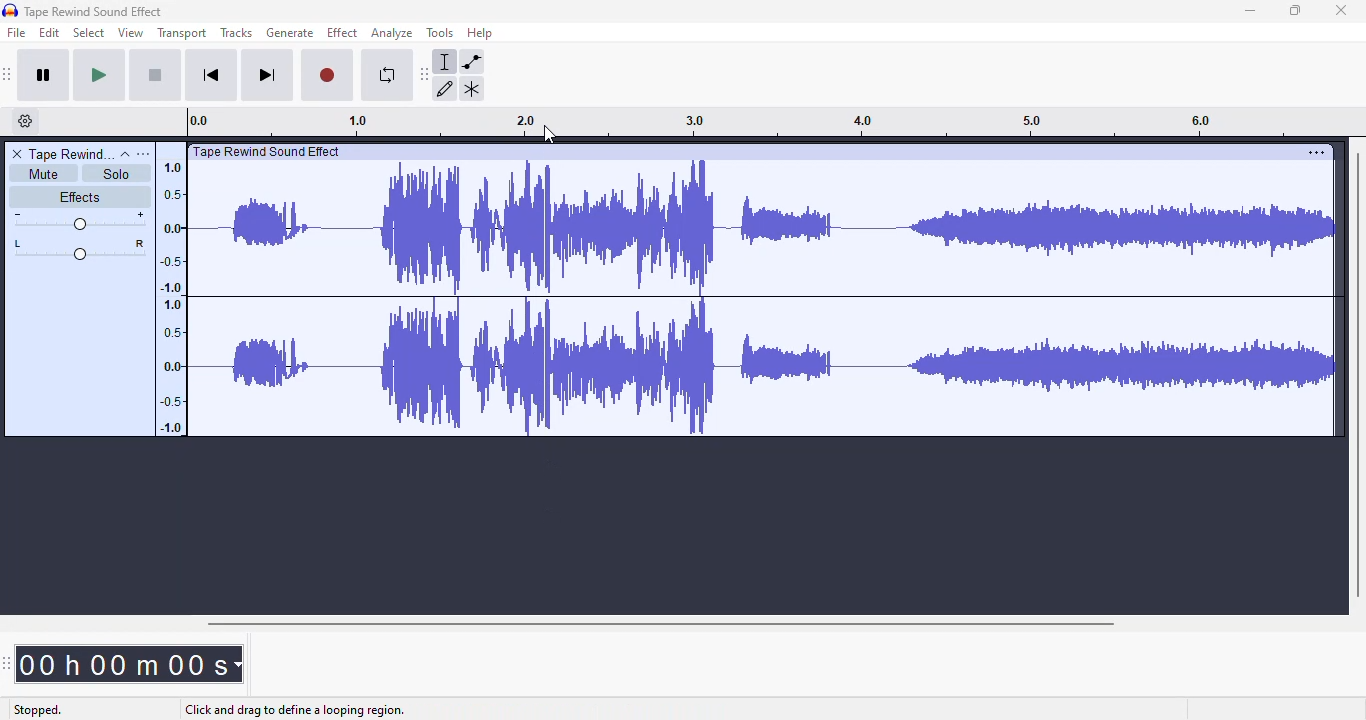 This screenshot has width=1366, height=720. Describe the element at coordinates (79, 199) in the screenshot. I see `effects` at that location.